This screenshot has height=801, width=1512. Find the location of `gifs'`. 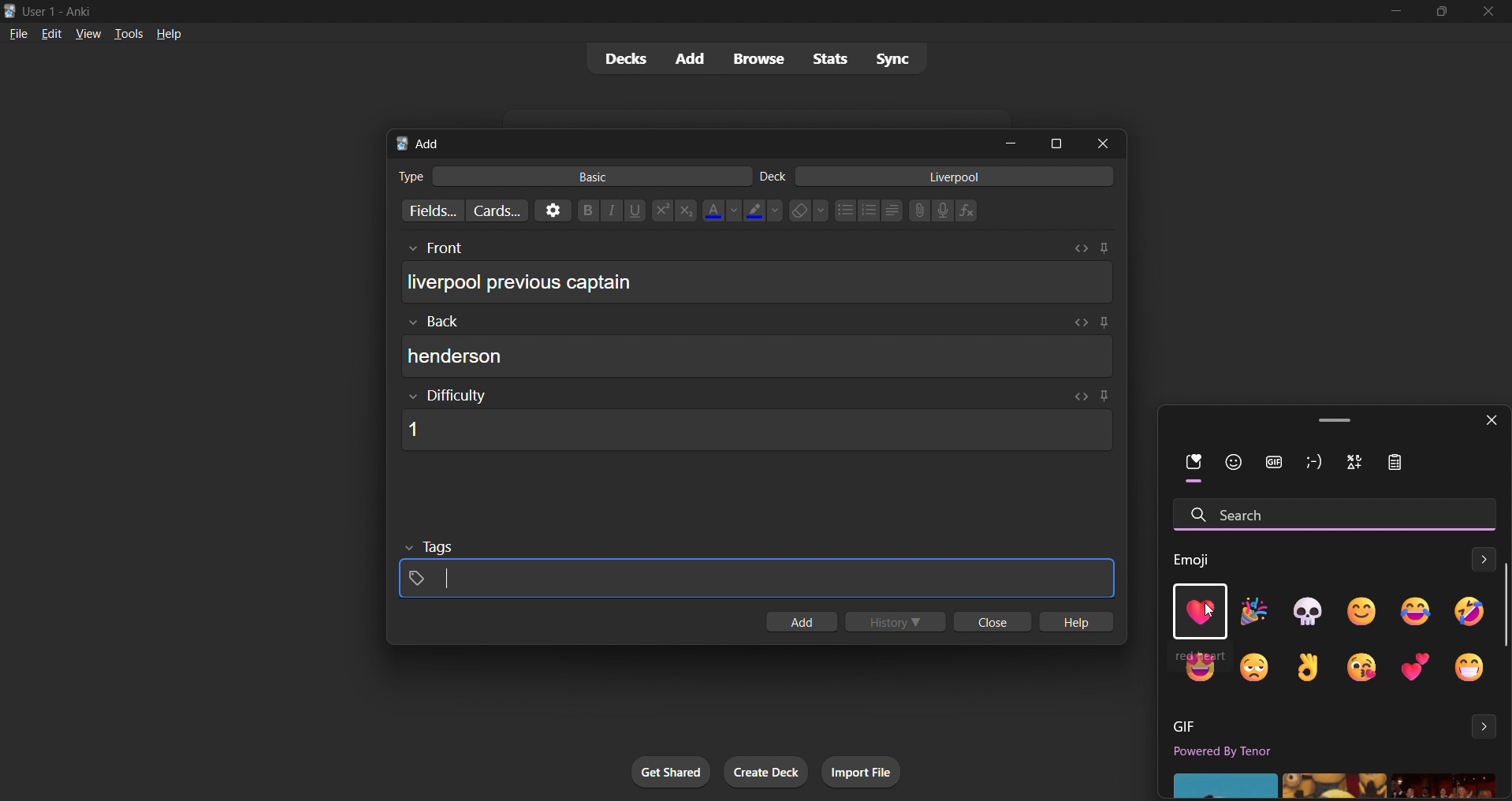

gifs' is located at coordinates (1332, 784).